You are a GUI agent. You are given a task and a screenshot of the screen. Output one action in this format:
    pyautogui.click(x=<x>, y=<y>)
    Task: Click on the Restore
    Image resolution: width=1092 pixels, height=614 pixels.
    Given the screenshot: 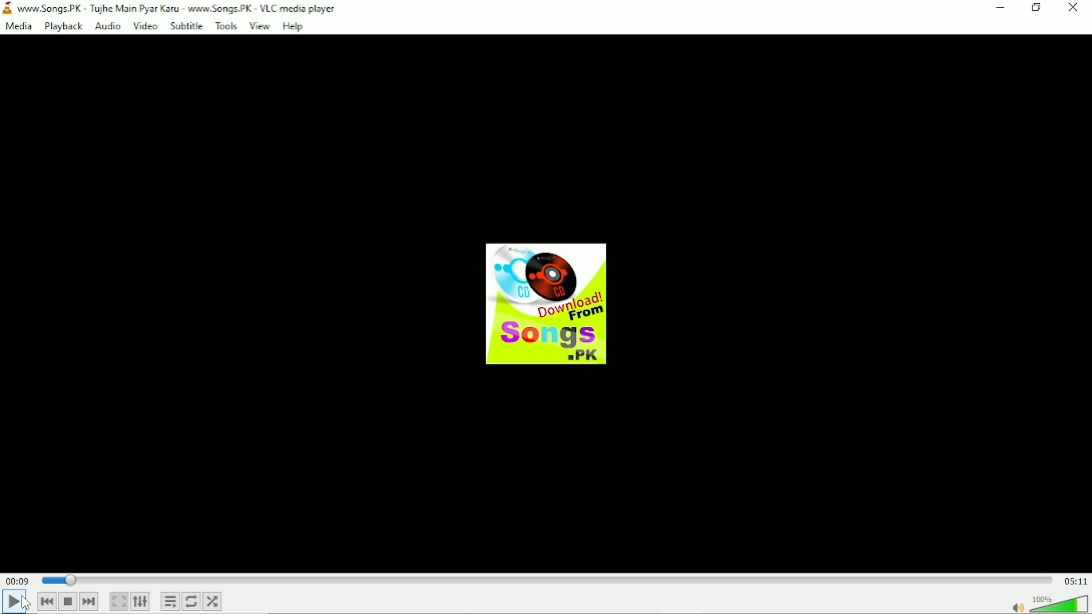 What is the action you would take?
    pyautogui.click(x=998, y=11)
    